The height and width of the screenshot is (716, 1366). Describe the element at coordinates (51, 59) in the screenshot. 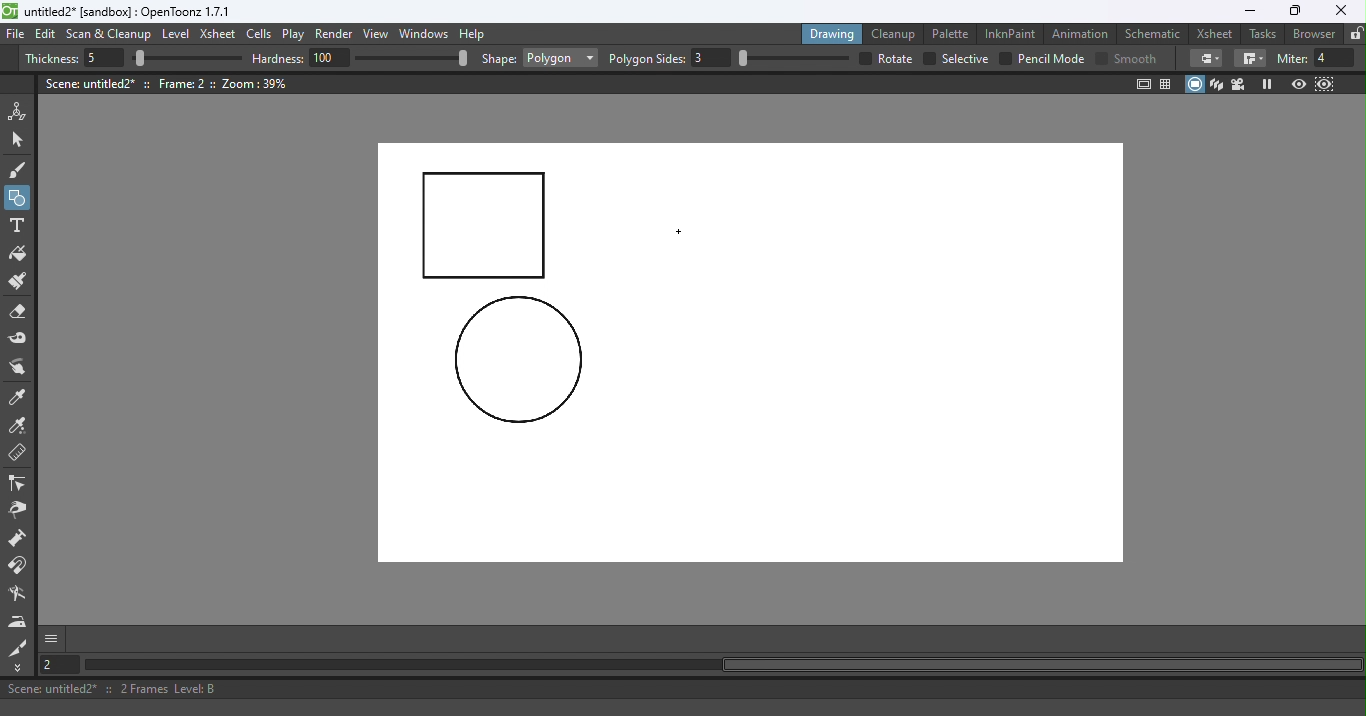

I see `Thickness` at that location.